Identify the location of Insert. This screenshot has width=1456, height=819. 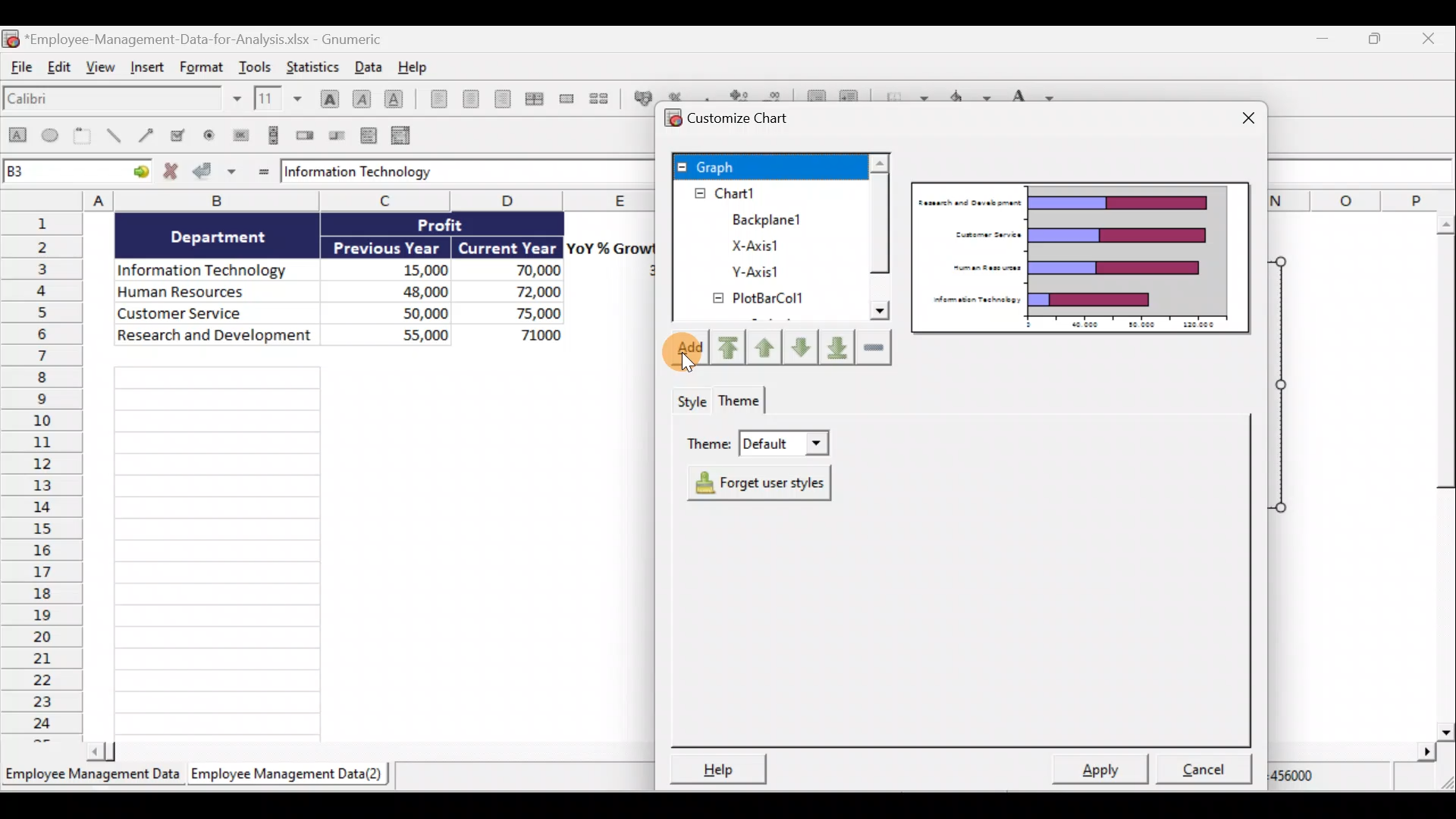
(149, 72).